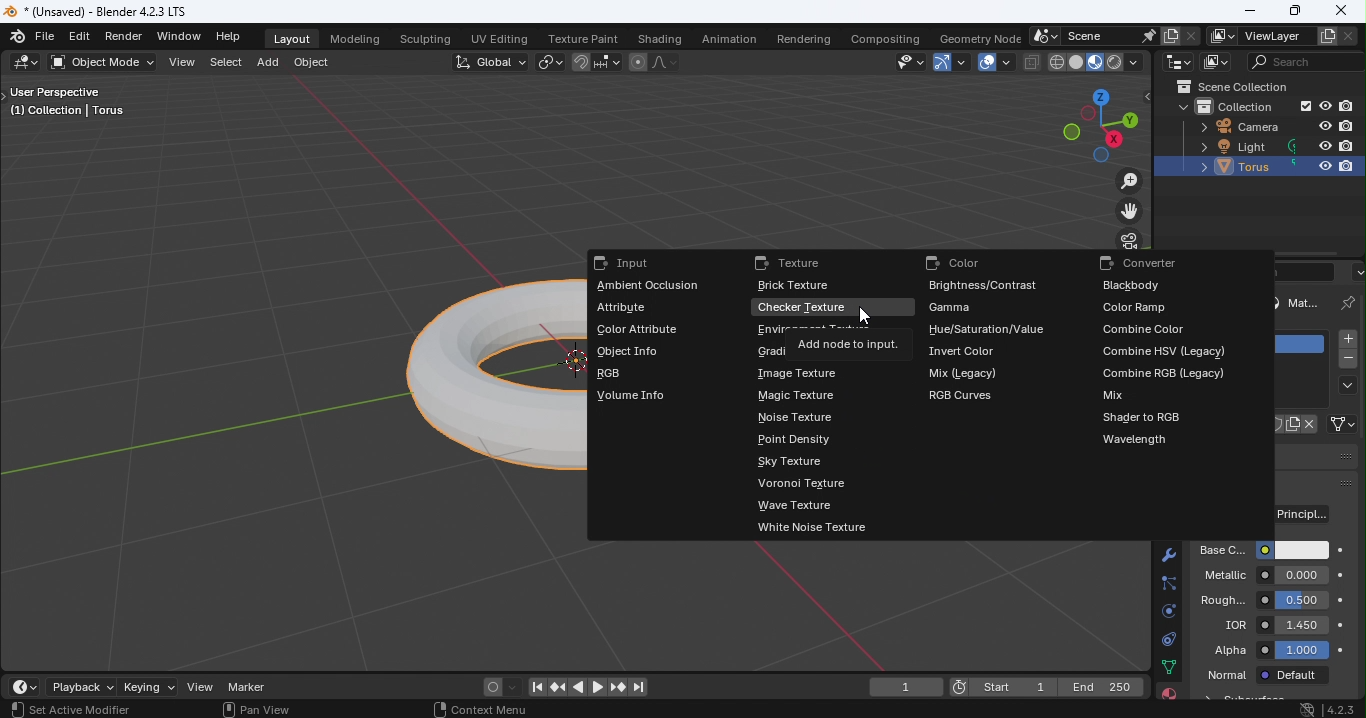 The height and width of the screenshot is (718, 1366). I want to click on Editor type, so click(1178, 62).